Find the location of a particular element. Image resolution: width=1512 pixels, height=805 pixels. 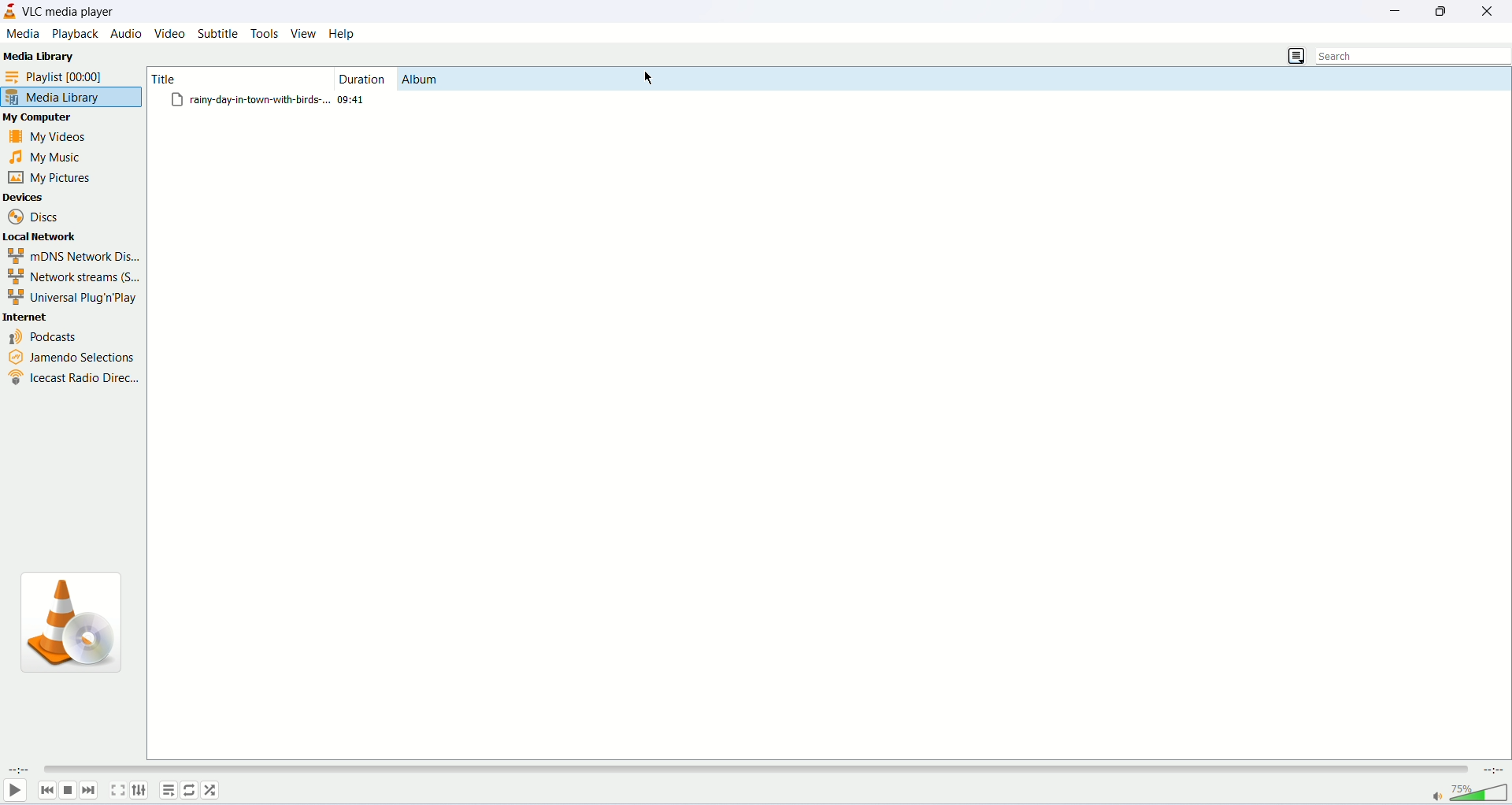

podcasts is located at coordinates (54, 338).